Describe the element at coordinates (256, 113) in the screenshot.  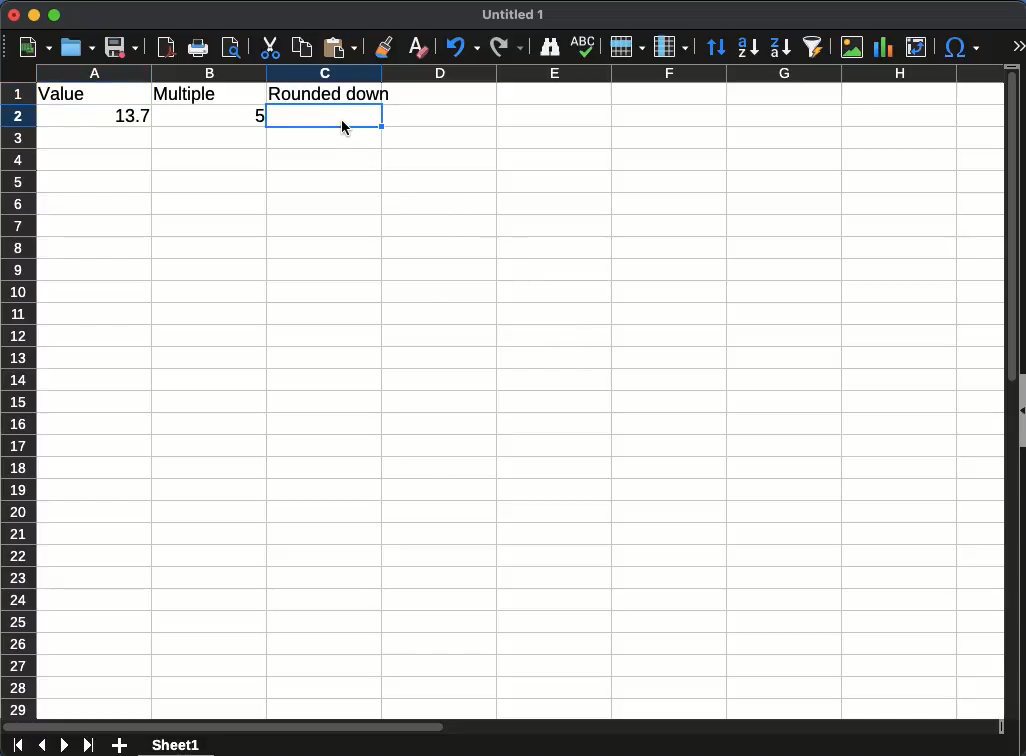
I see `5` at that location.